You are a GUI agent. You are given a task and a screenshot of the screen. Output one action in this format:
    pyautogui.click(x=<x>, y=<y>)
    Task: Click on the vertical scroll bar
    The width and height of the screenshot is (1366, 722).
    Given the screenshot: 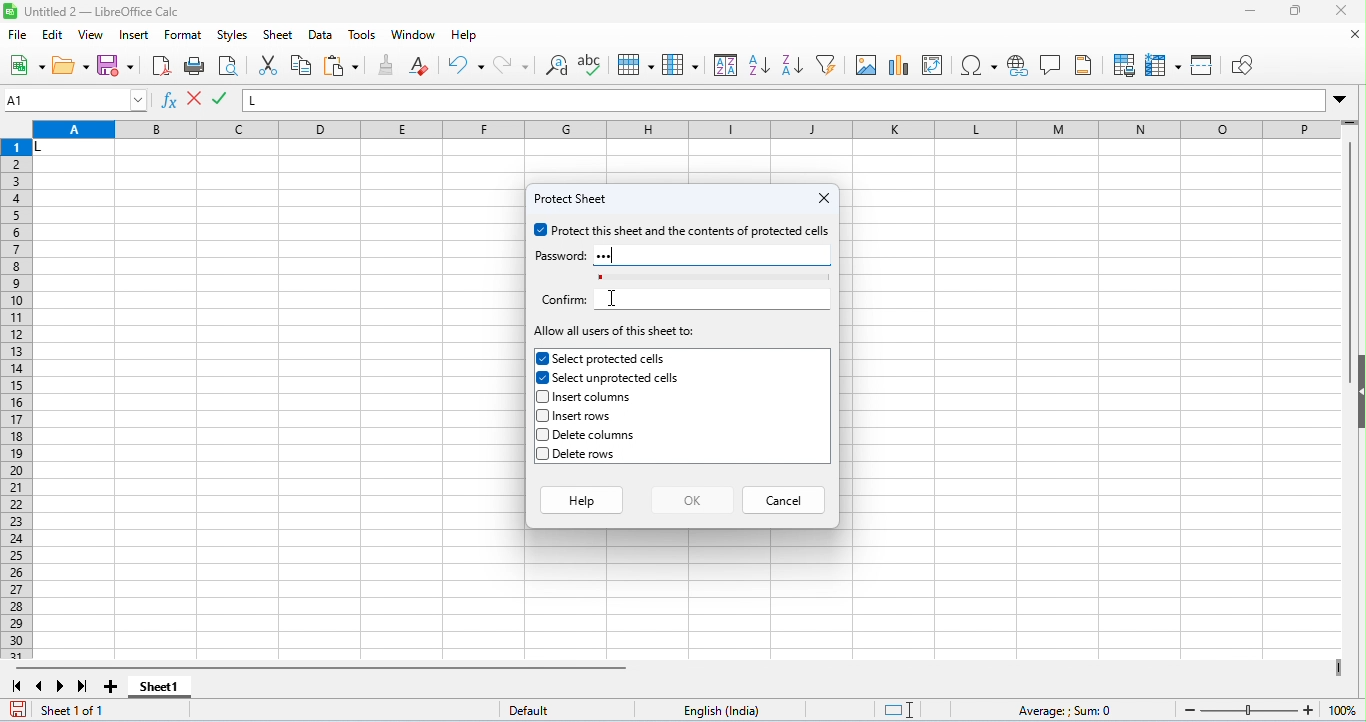 What is the action you would take?
    pyautogui.click(x=1351, y=264)
    